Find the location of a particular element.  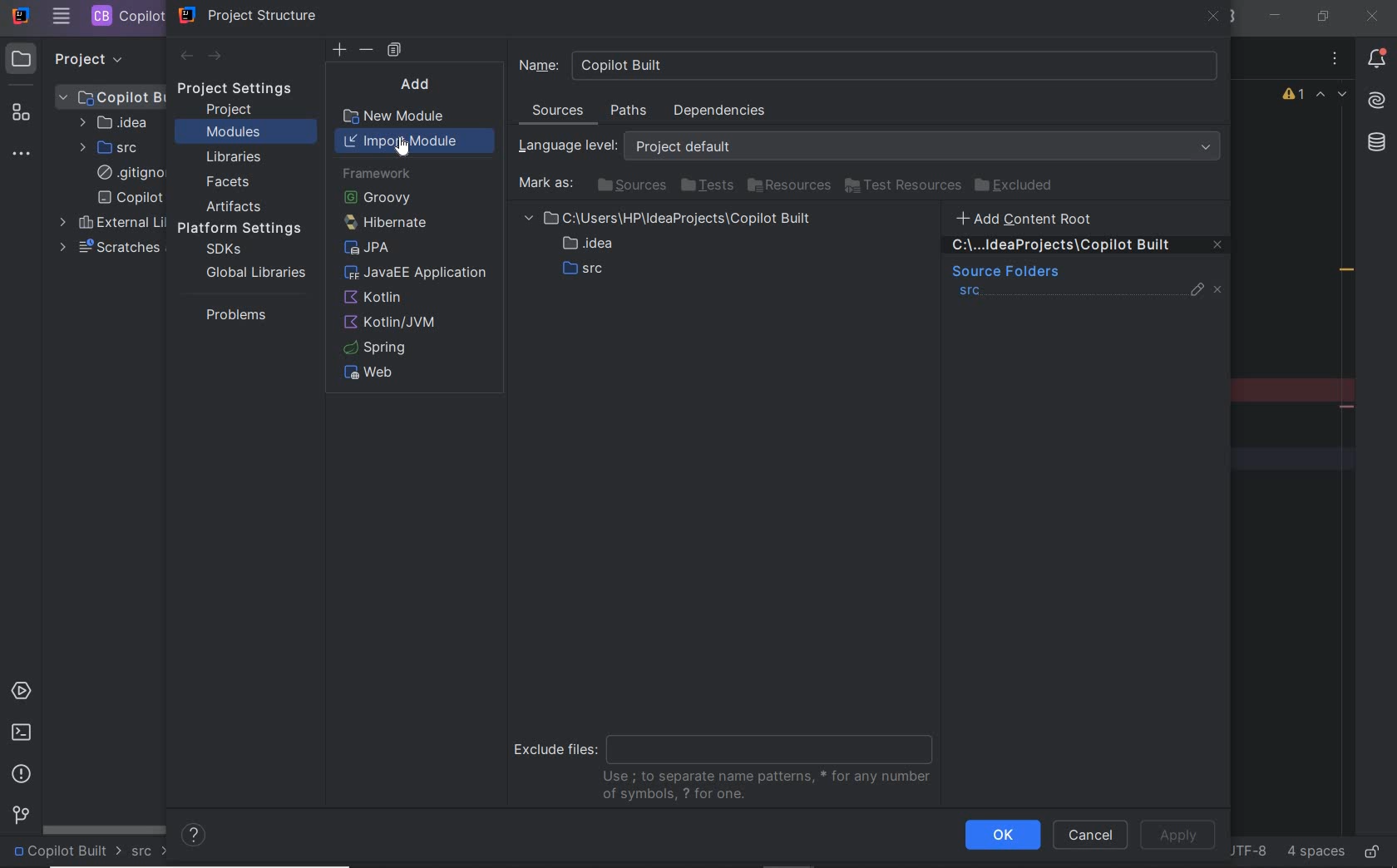

PROJECT FILE NAME is located at coordinates (126, 16).